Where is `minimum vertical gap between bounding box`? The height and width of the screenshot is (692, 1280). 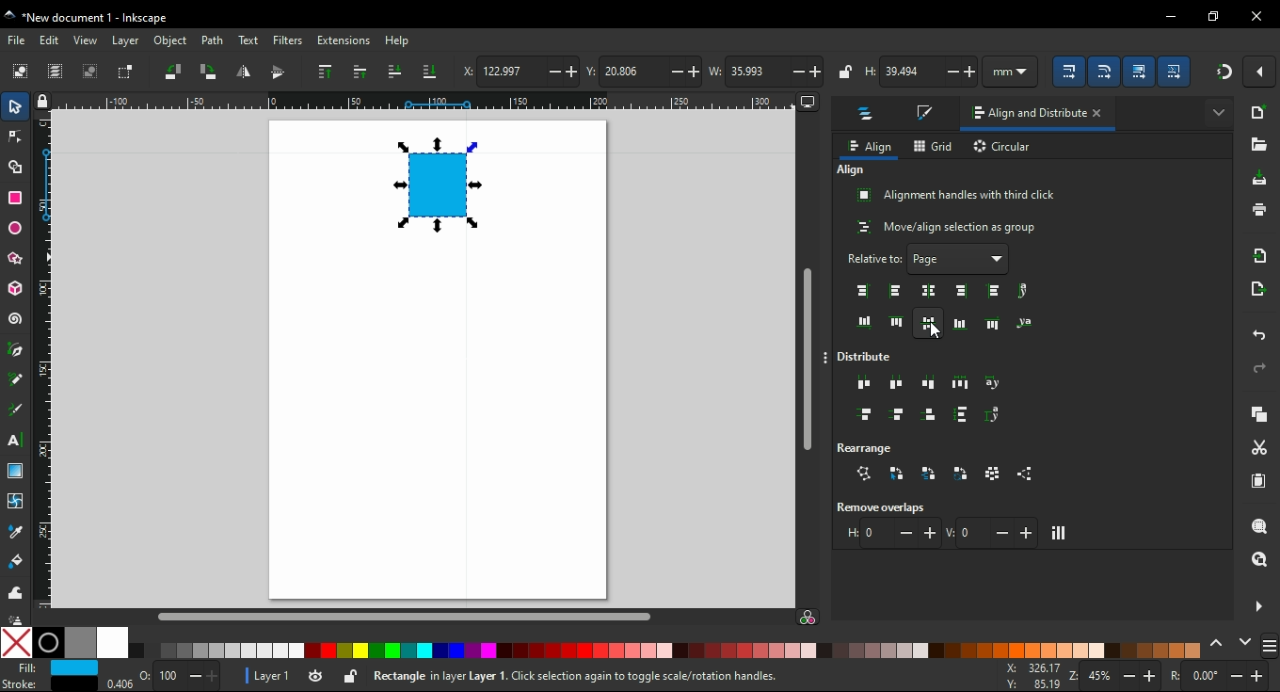 minimum vertical gap between bounding box is located at coordinates (992, 532).